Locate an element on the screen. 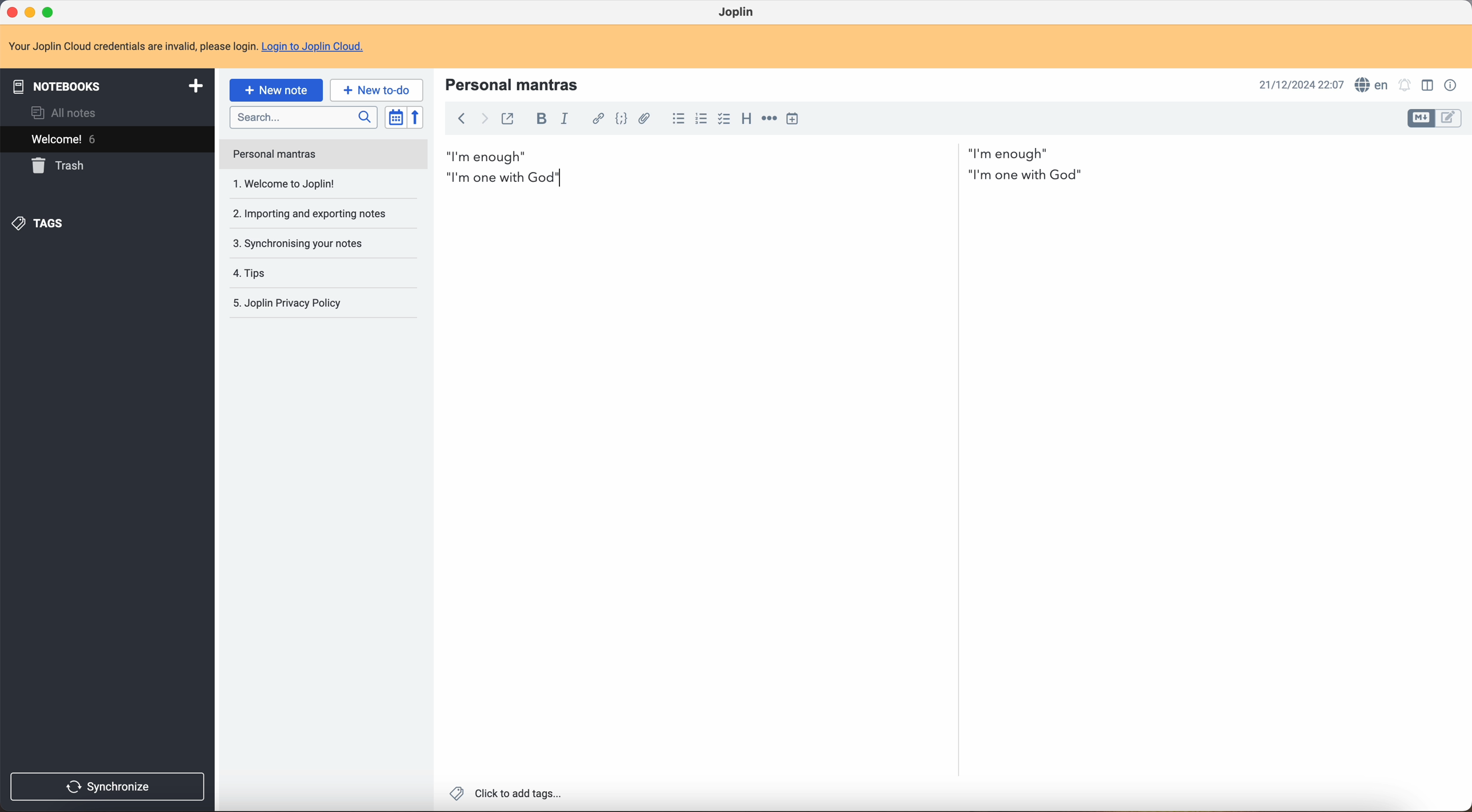 Image resolution: width=1472 pixels, height=812 pixels. synchronise is located at coordinates (111, 786).